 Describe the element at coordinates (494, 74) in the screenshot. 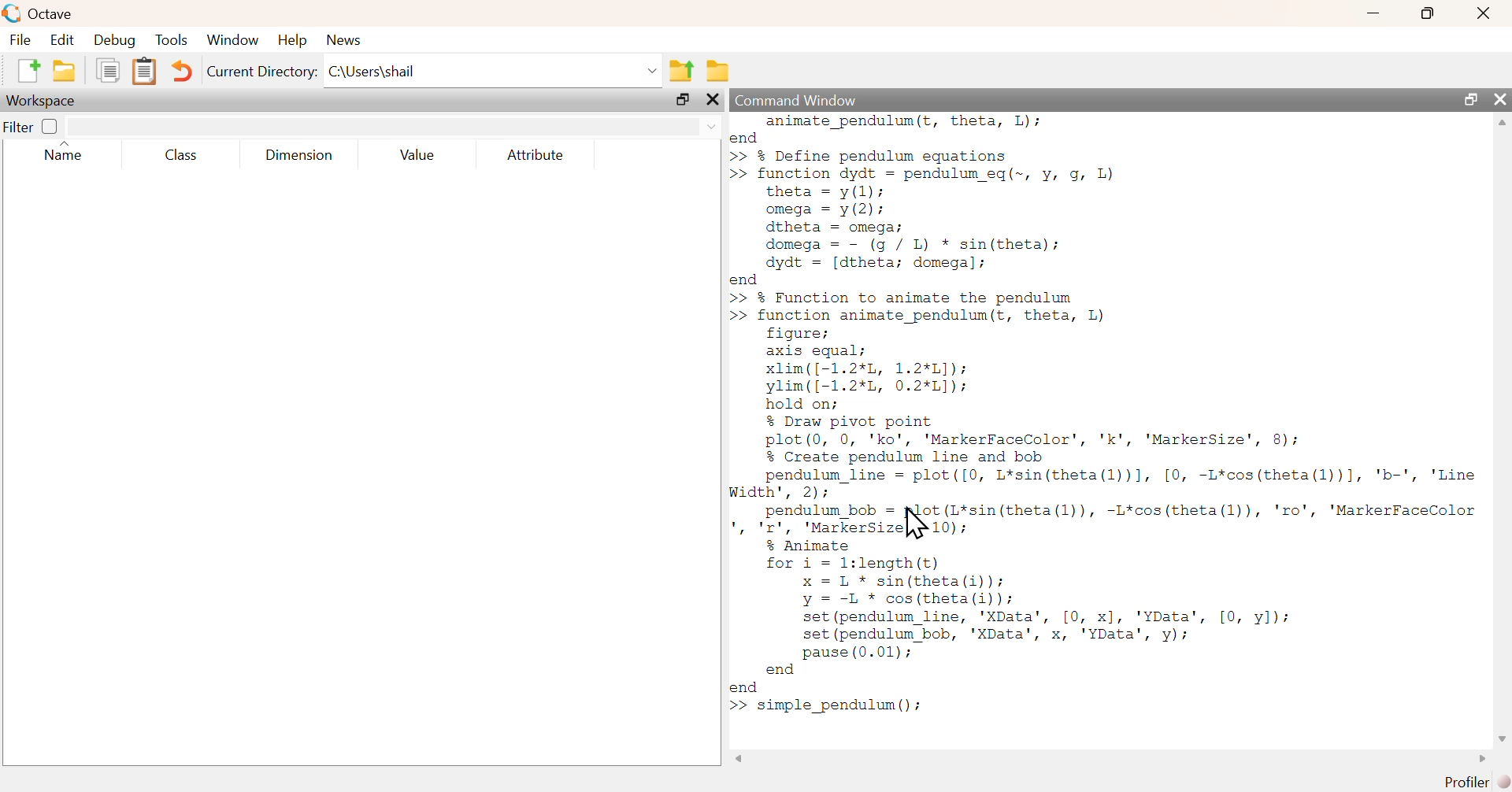

I see `C:\Users\shail ` at that location.